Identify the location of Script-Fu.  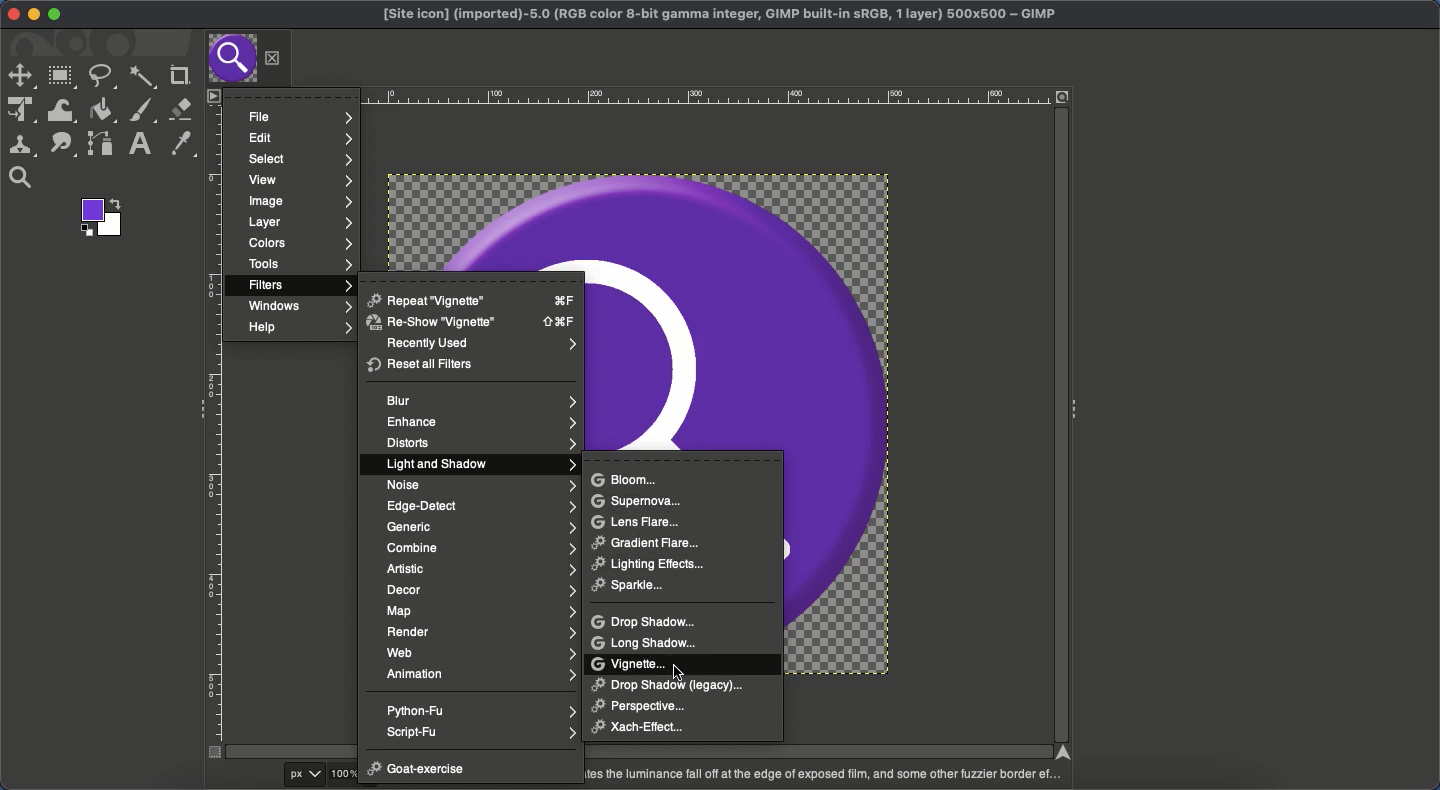
(482, 731).